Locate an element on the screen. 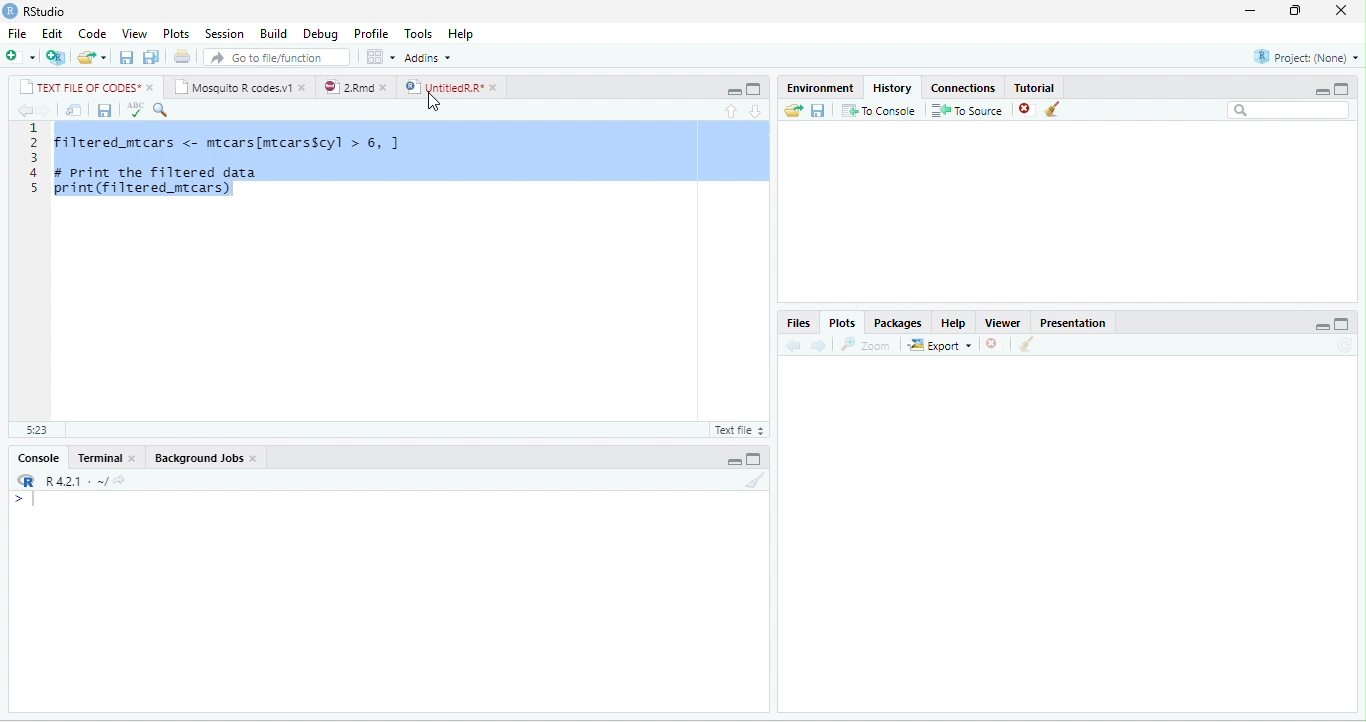 This screenshot has width=1366, height=722. close is located at coordinates (1341, 10).